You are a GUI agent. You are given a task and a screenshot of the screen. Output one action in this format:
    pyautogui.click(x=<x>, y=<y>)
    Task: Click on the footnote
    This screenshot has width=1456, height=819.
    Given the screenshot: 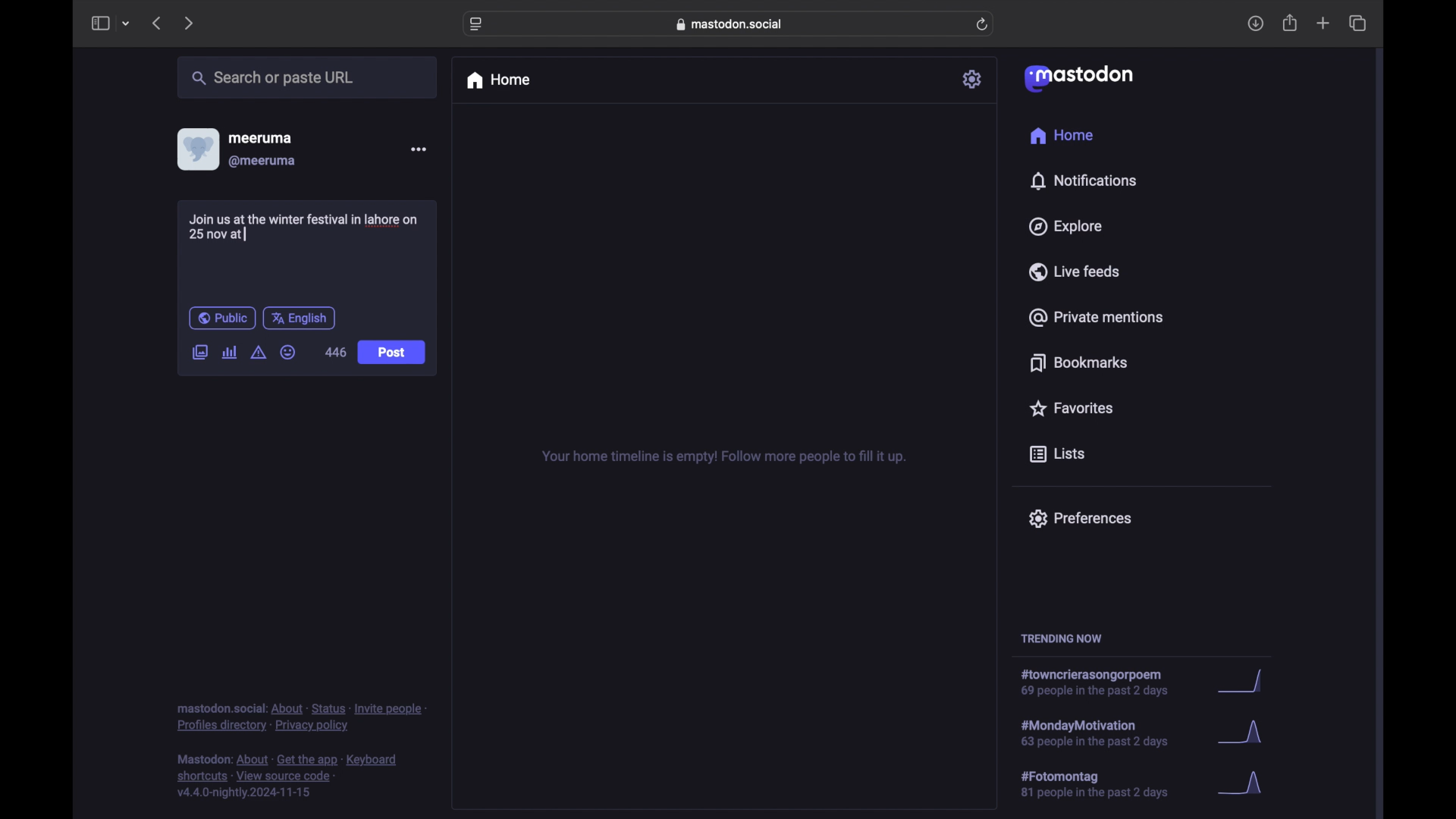 What is the action you would take?
    pyautogui.click(x=290, y=777)
    